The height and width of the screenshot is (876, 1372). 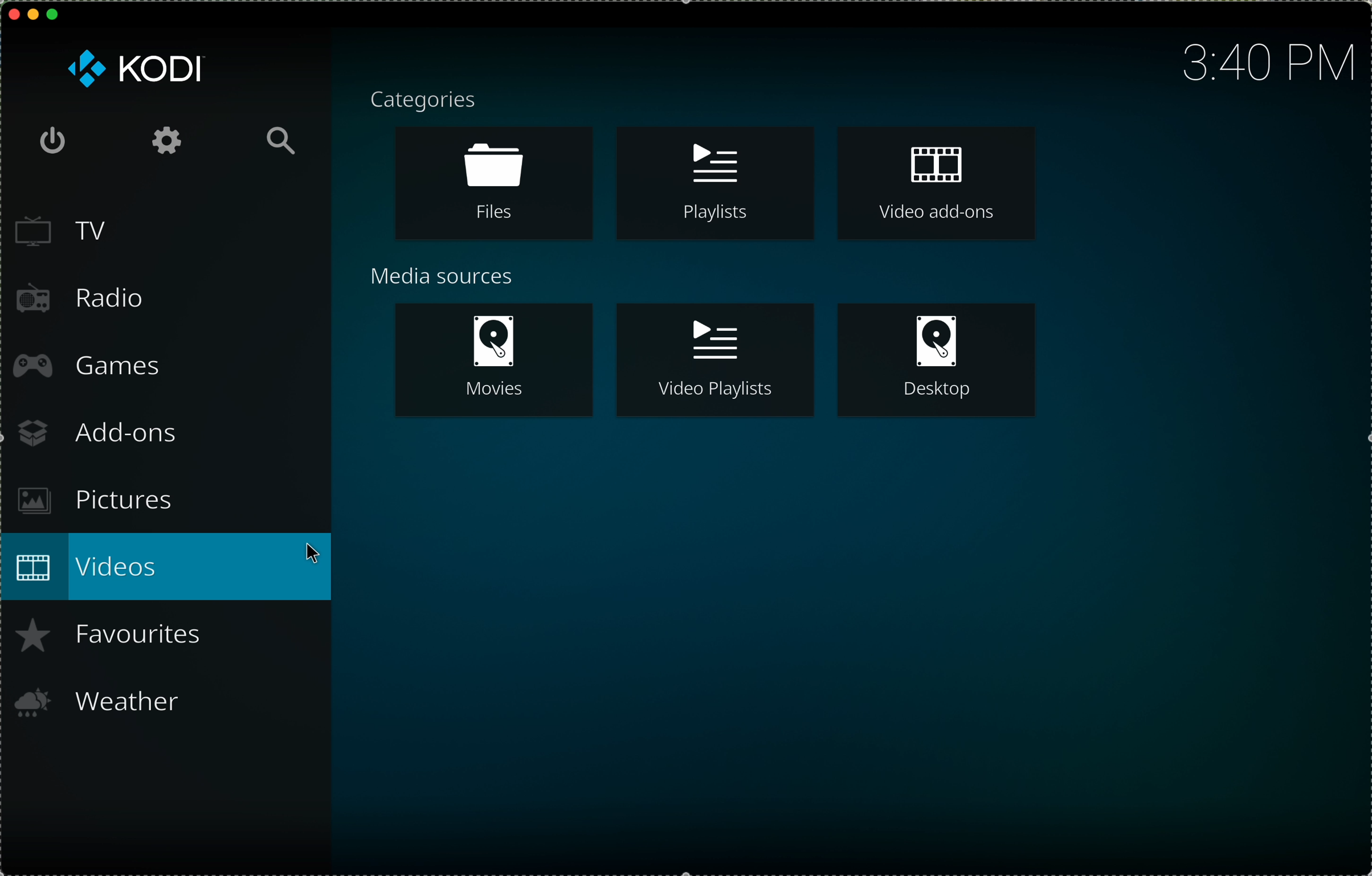 What do you see at coordinates (714, 180) in the screenshot?
I see `playlist button` at bounding box center [714, 180].